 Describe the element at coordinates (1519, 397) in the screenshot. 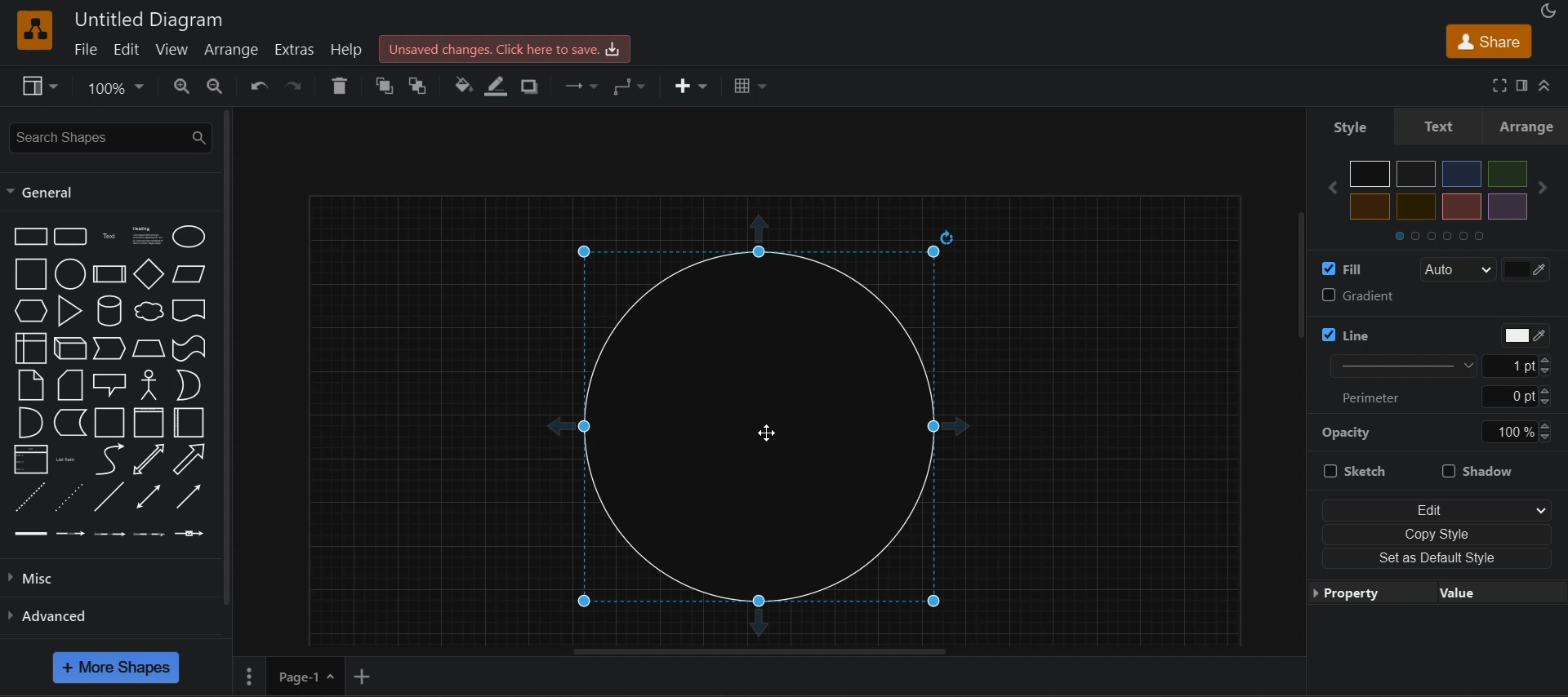

I see `0 pt` at that location.